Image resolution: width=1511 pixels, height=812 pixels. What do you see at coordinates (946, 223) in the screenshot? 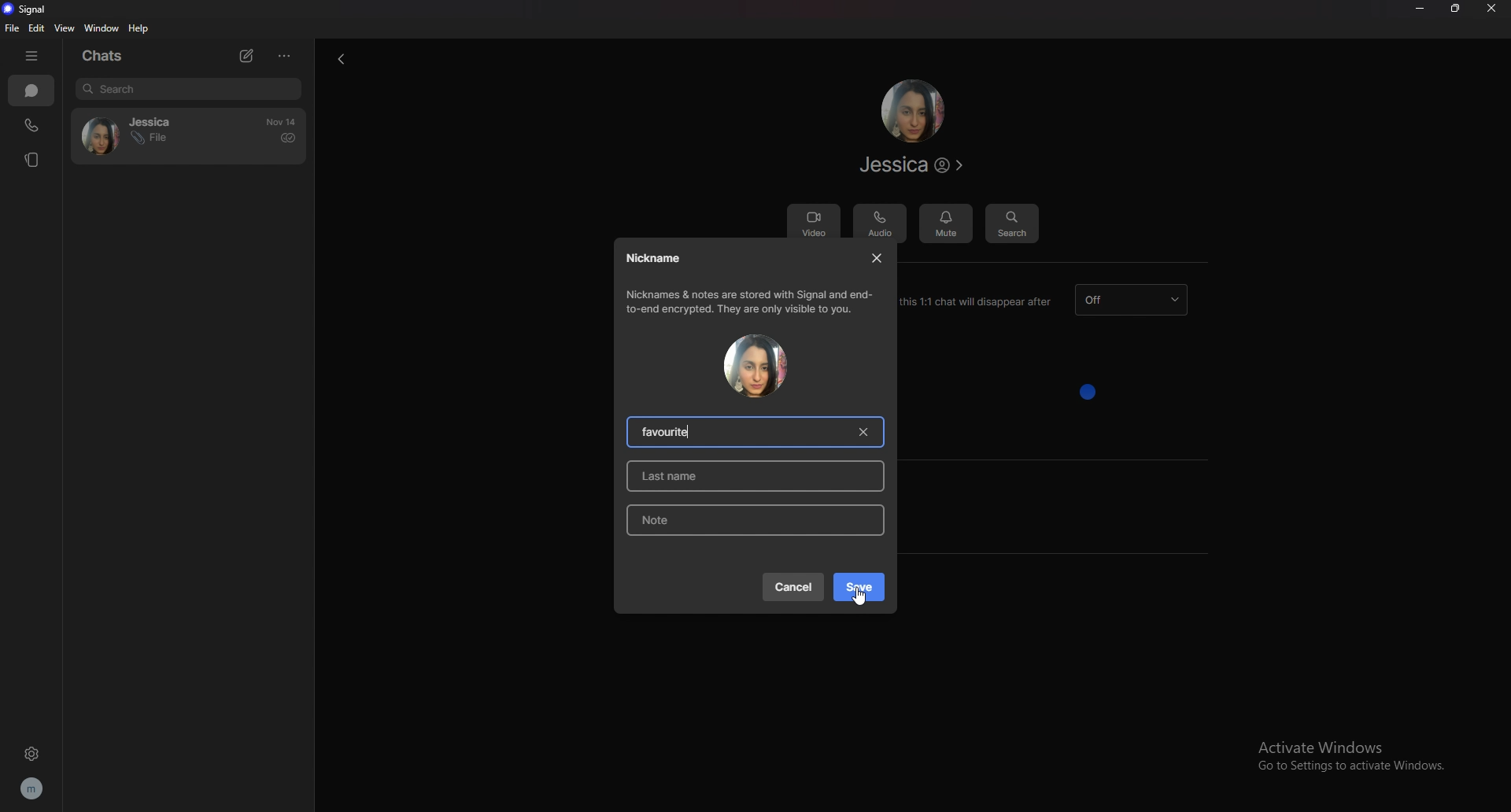
I see `mute` at bounding box center [946, 223].